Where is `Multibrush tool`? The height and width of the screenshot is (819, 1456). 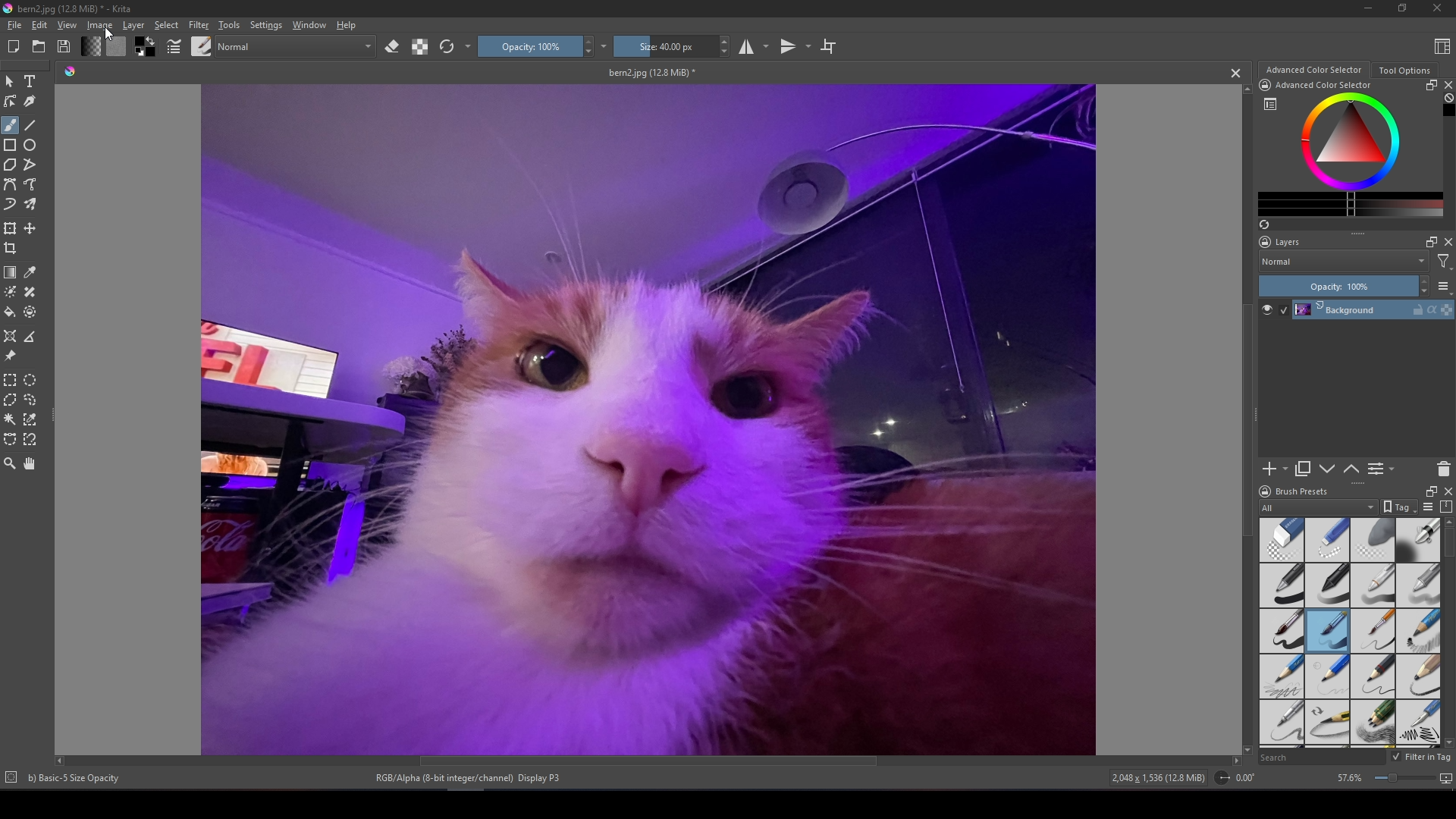 Multibrush tool is located at coordinates (30, 204).